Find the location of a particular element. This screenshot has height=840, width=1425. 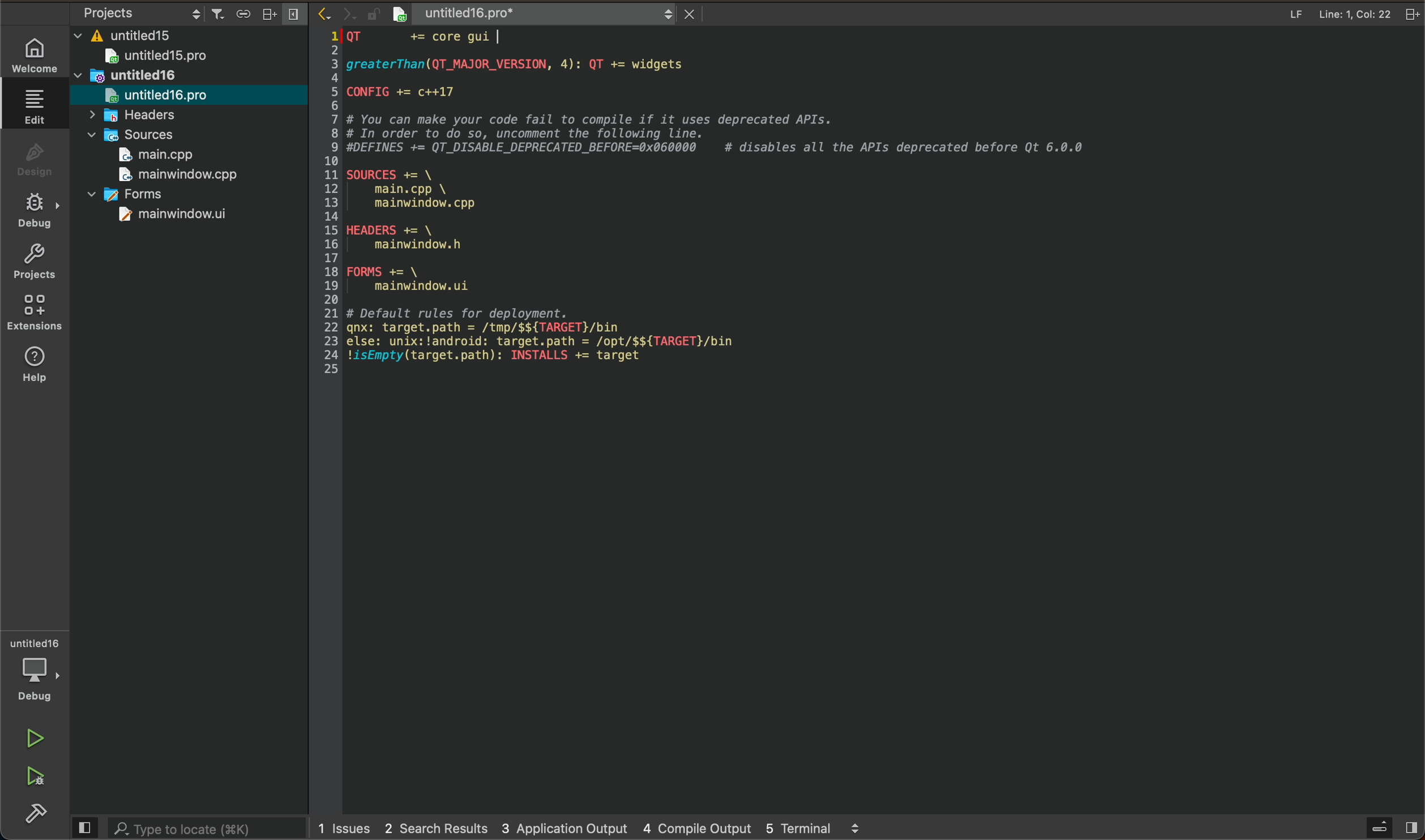

welcome is located at coordinates (38, 53).